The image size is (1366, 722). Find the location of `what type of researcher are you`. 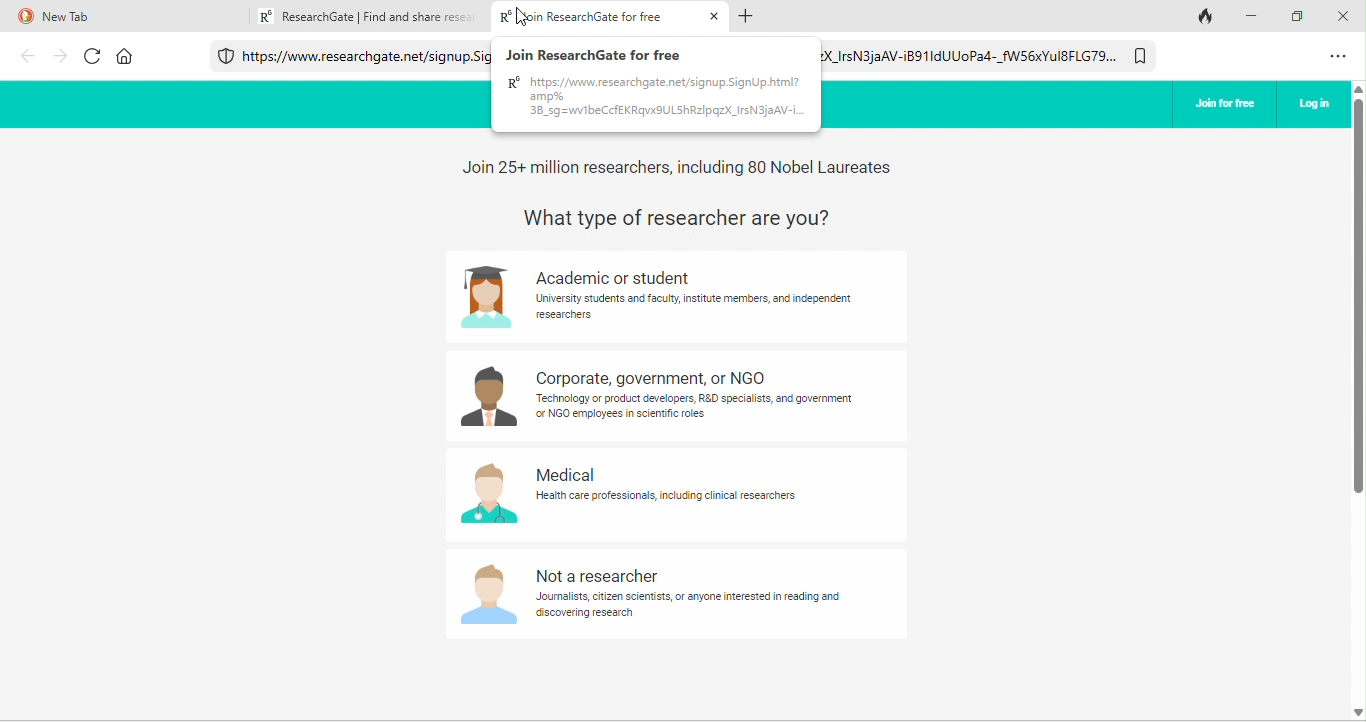

what type of researcher are you is located at coordinates (700, 216).